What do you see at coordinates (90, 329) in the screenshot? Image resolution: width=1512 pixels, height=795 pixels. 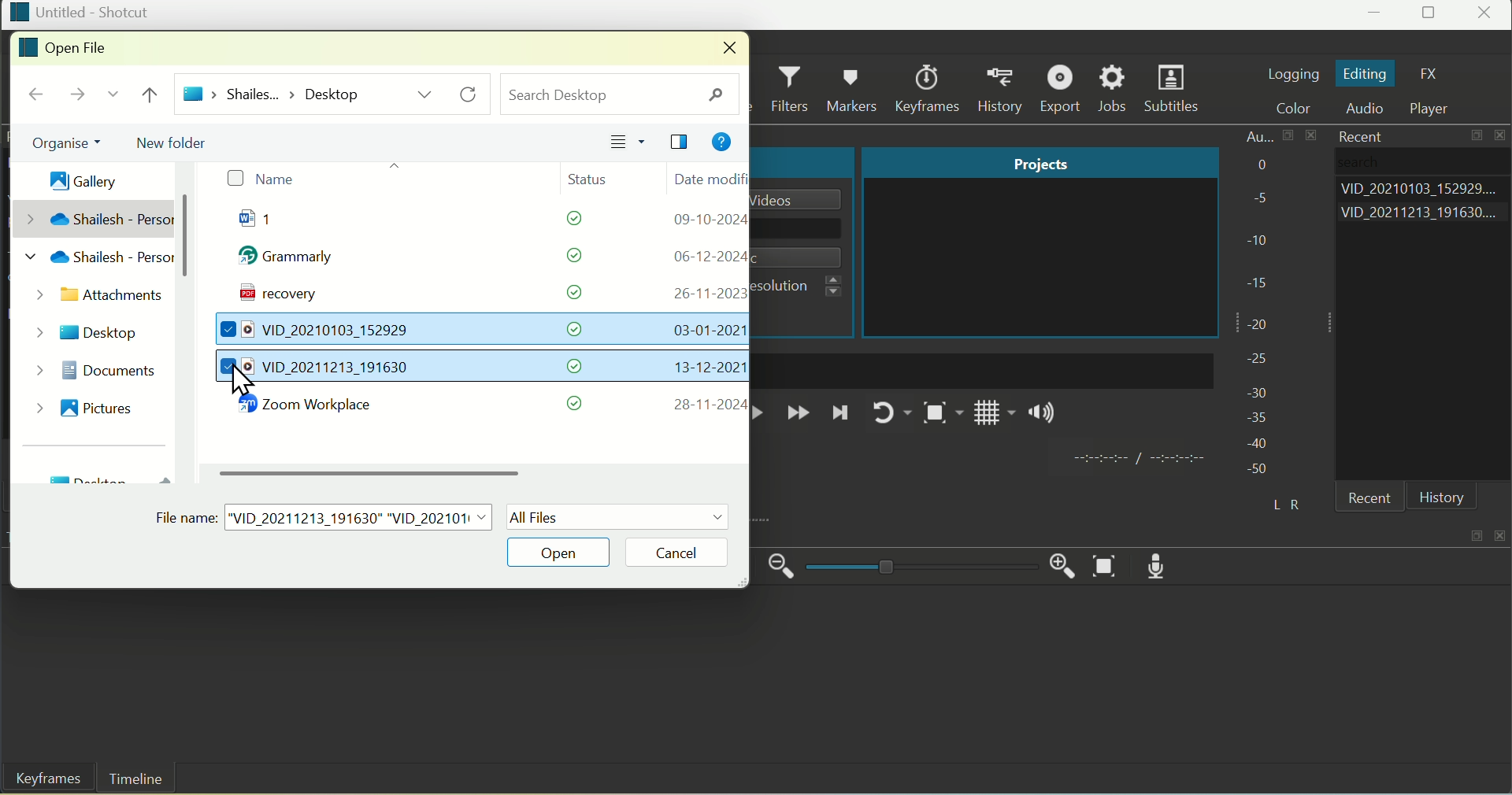 I see `Desktop` at bounding box center [90, 329].